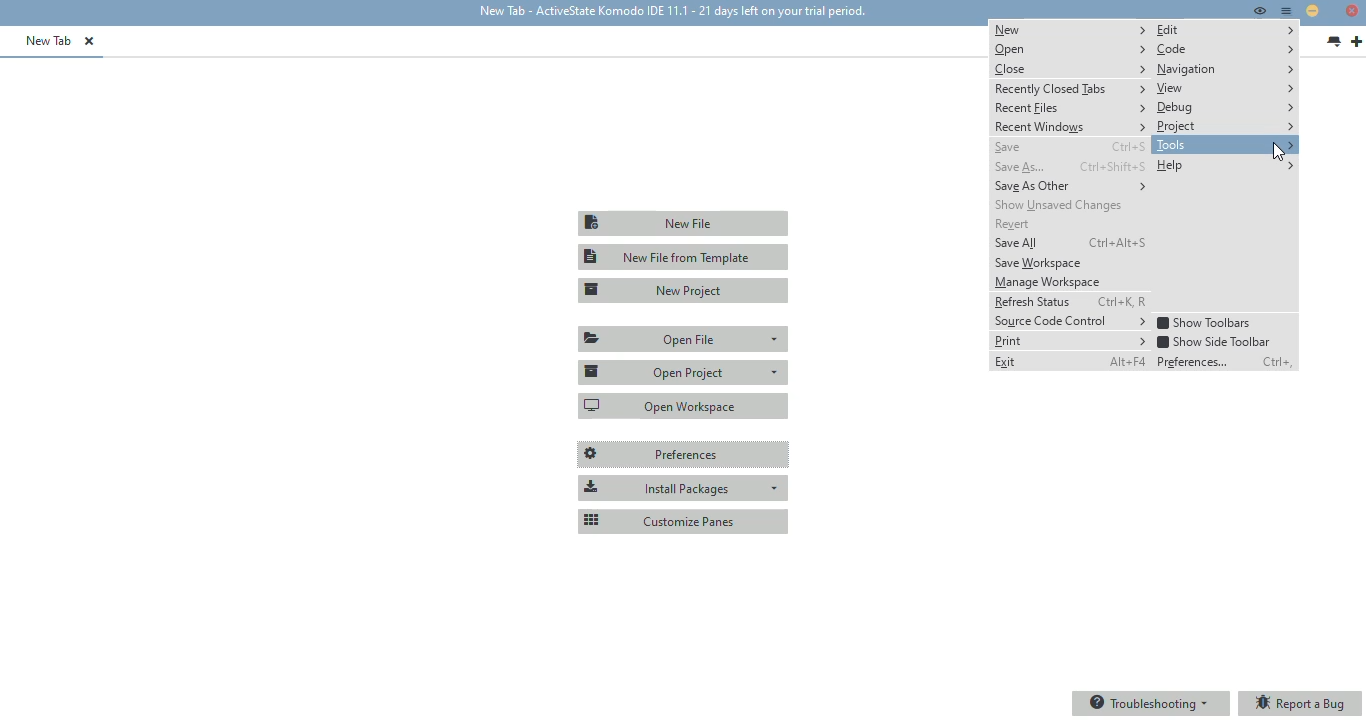  I want to click on shortcut for refresh status, so click(1121, 302).